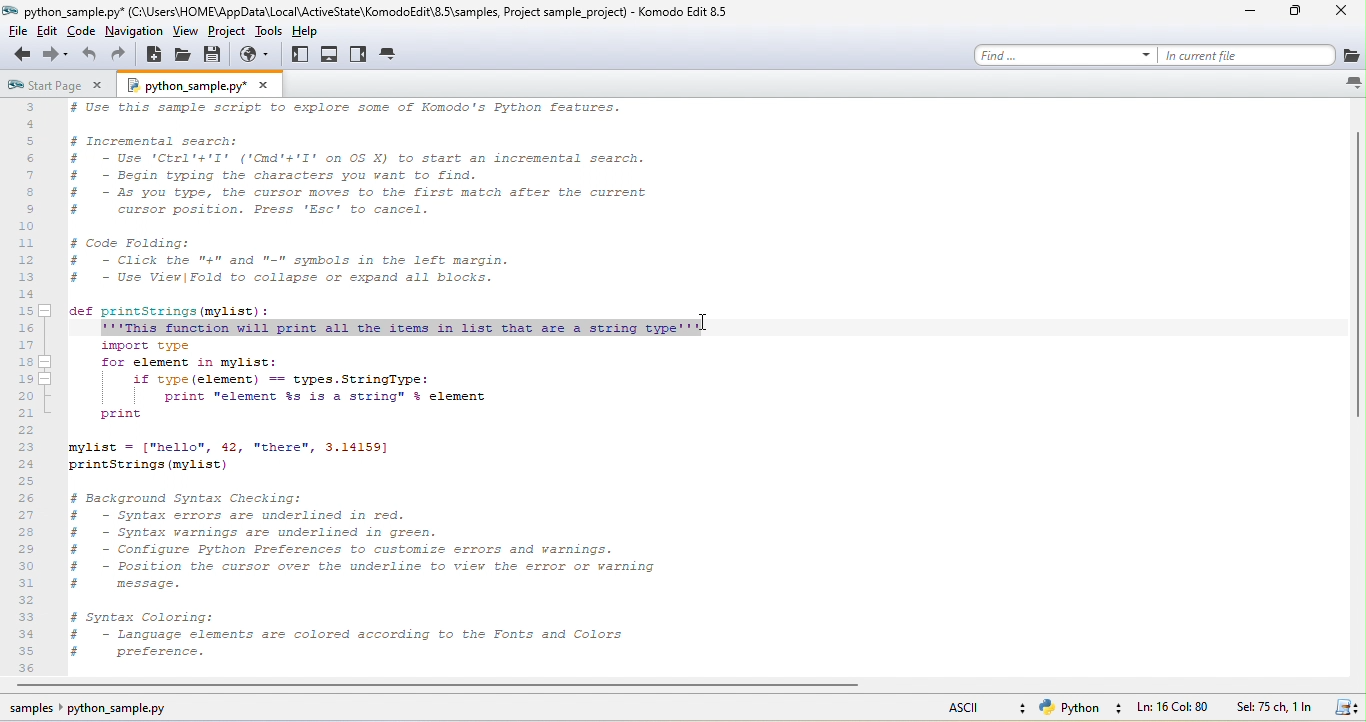 Image resolution: width=1366 pixels, height=722 pixels. Describe the element at coordinates (367, 503) in the screenshot. I see `code text` at that location.